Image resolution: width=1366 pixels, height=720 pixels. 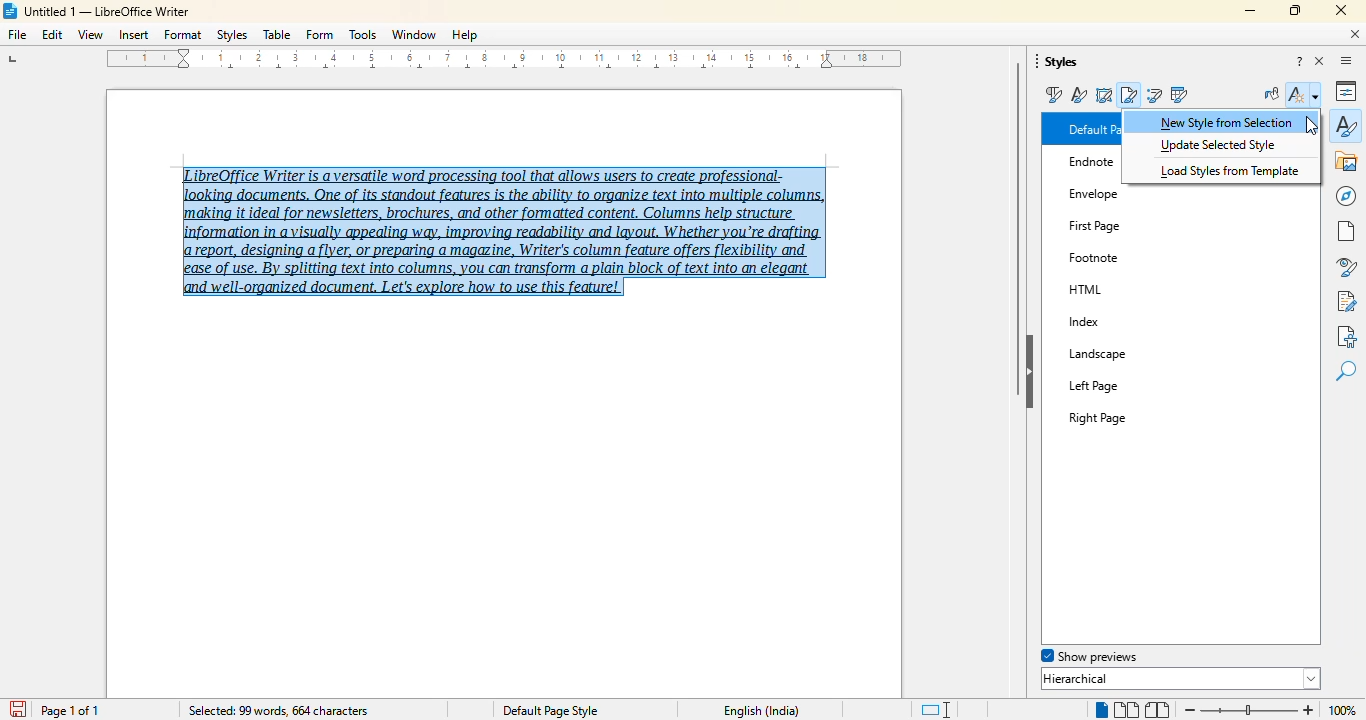 I want to click on HTML, so click(x=1108, y=286).